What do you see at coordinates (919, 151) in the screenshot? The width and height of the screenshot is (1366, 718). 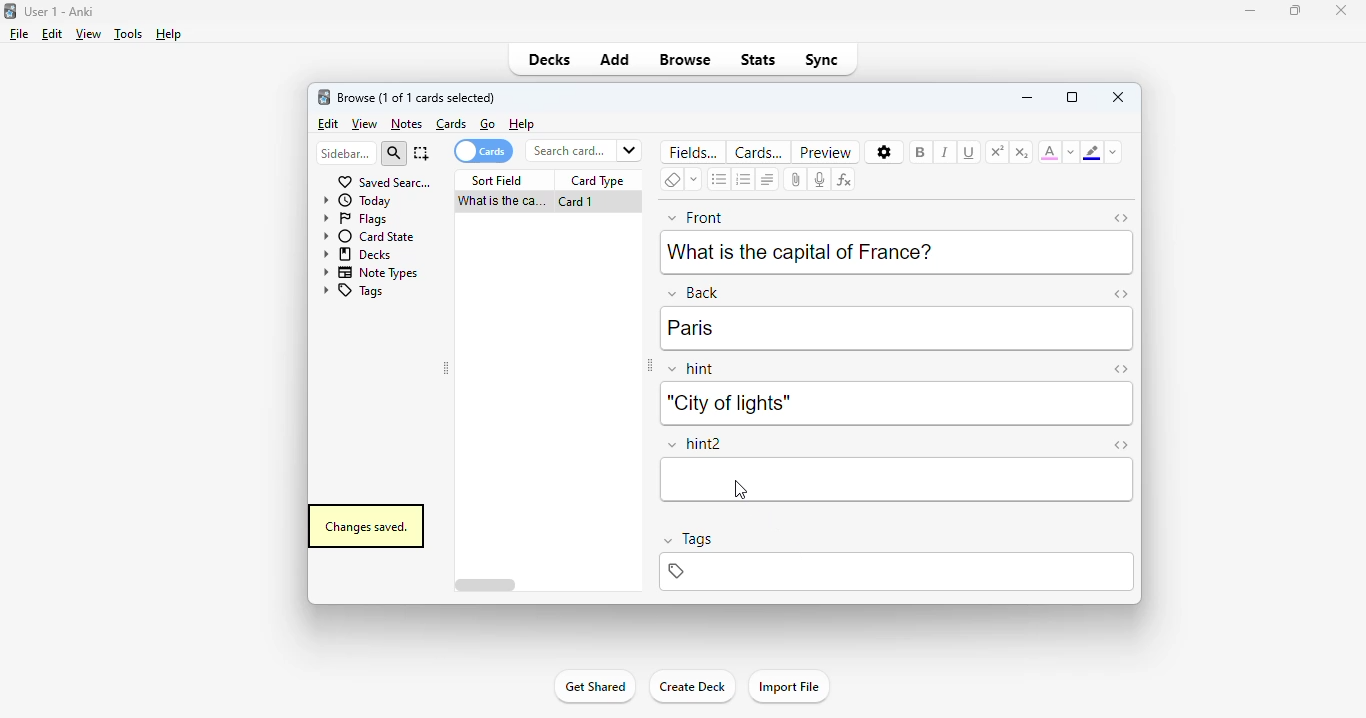 I see `bold` at bounding box center [919, 151].